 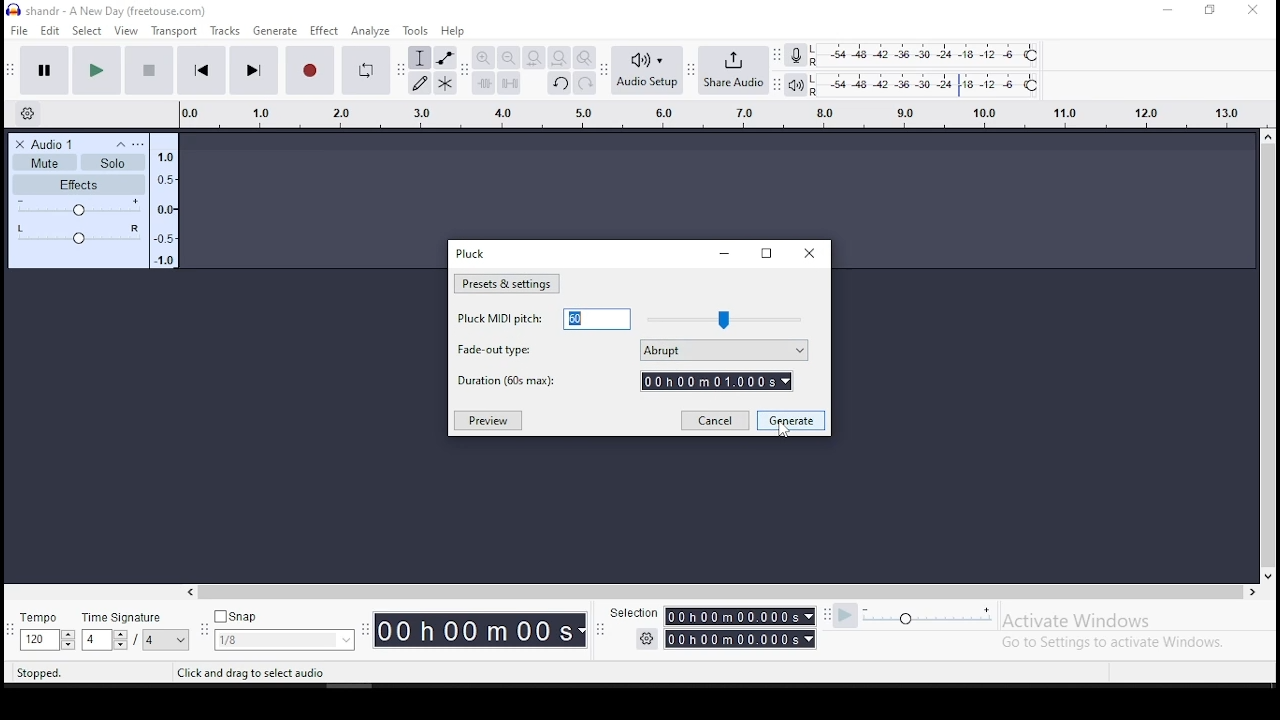 What do you see at coordinates (624, 381) in the screenshot?
I see `duration` at bounding box center [624, 381].